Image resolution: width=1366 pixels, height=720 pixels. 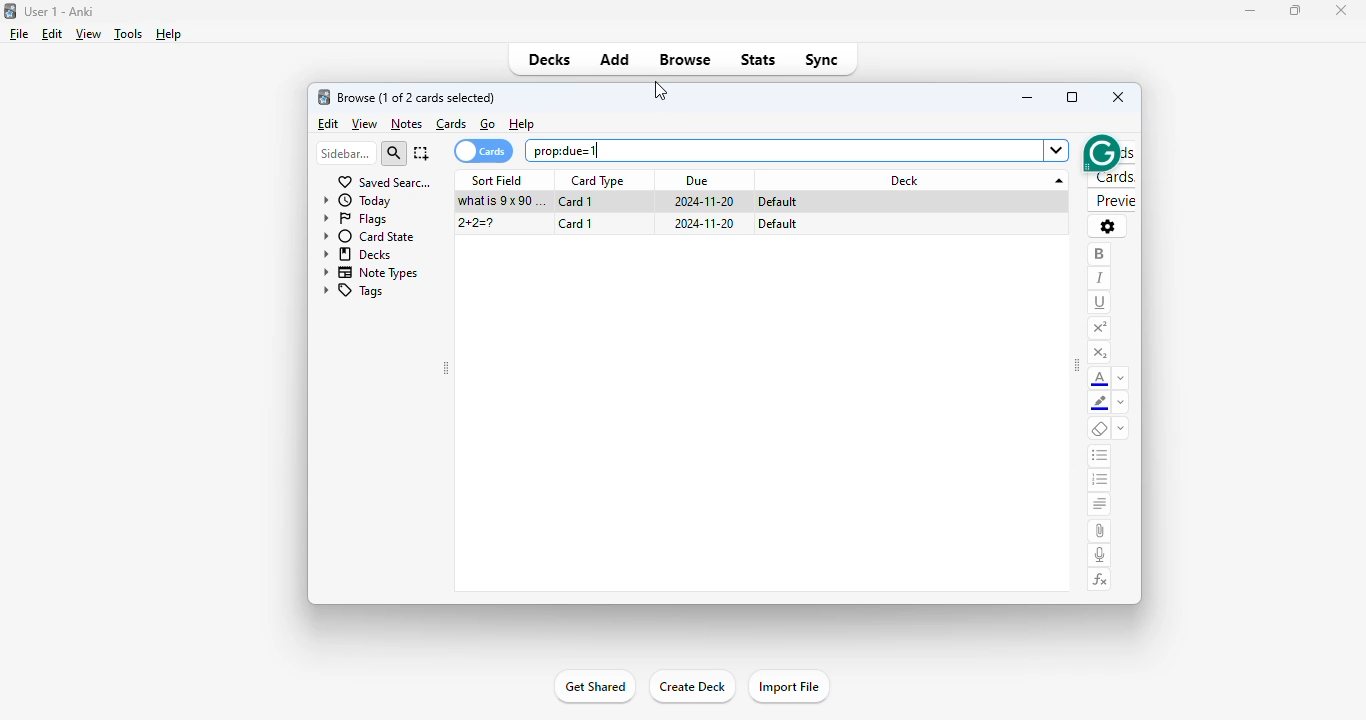 I want to click on browse (1 of 6 cards selected), so click(x=417, y=98).